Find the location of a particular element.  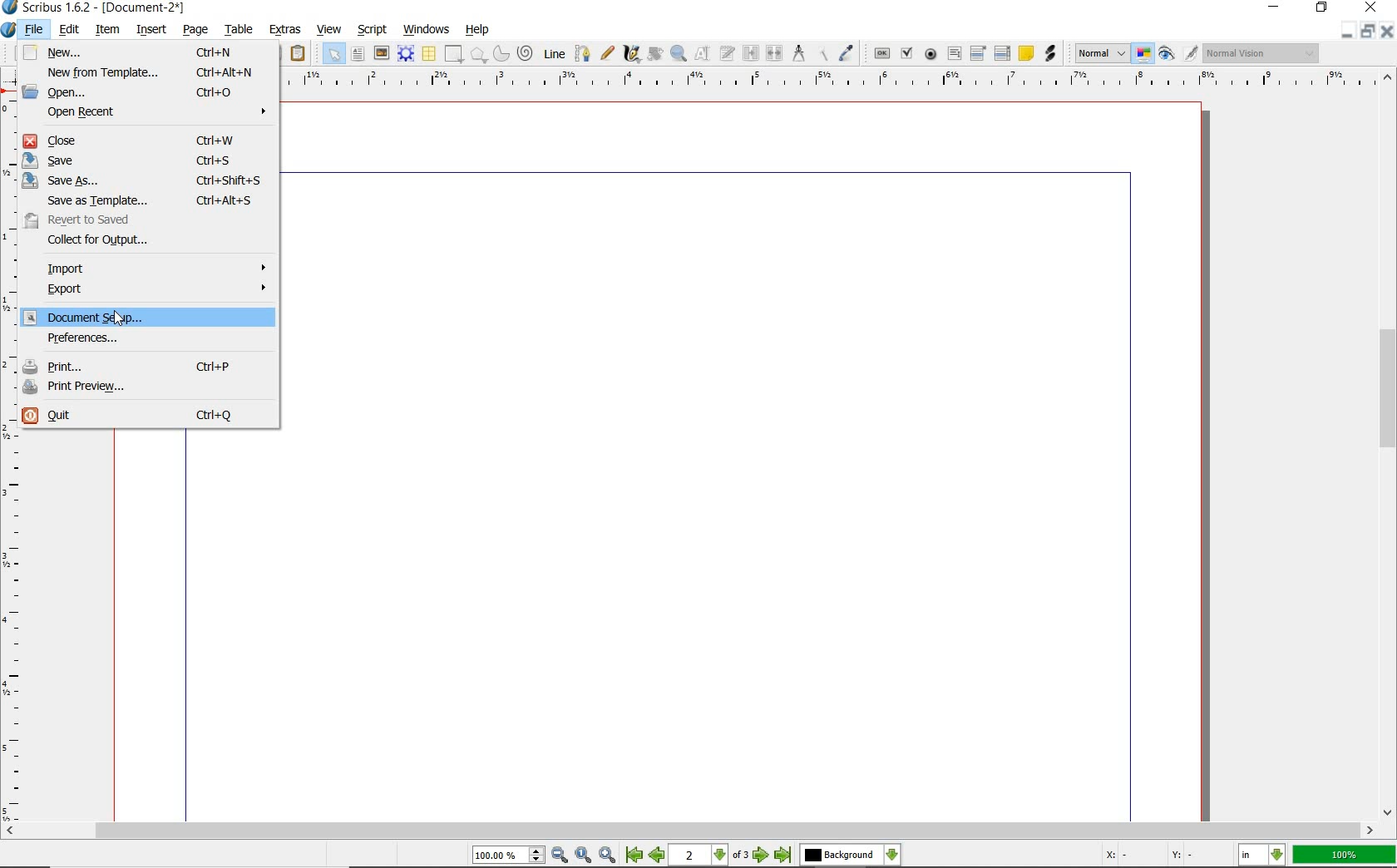

eye dropper is located at coordinates (848, 52).